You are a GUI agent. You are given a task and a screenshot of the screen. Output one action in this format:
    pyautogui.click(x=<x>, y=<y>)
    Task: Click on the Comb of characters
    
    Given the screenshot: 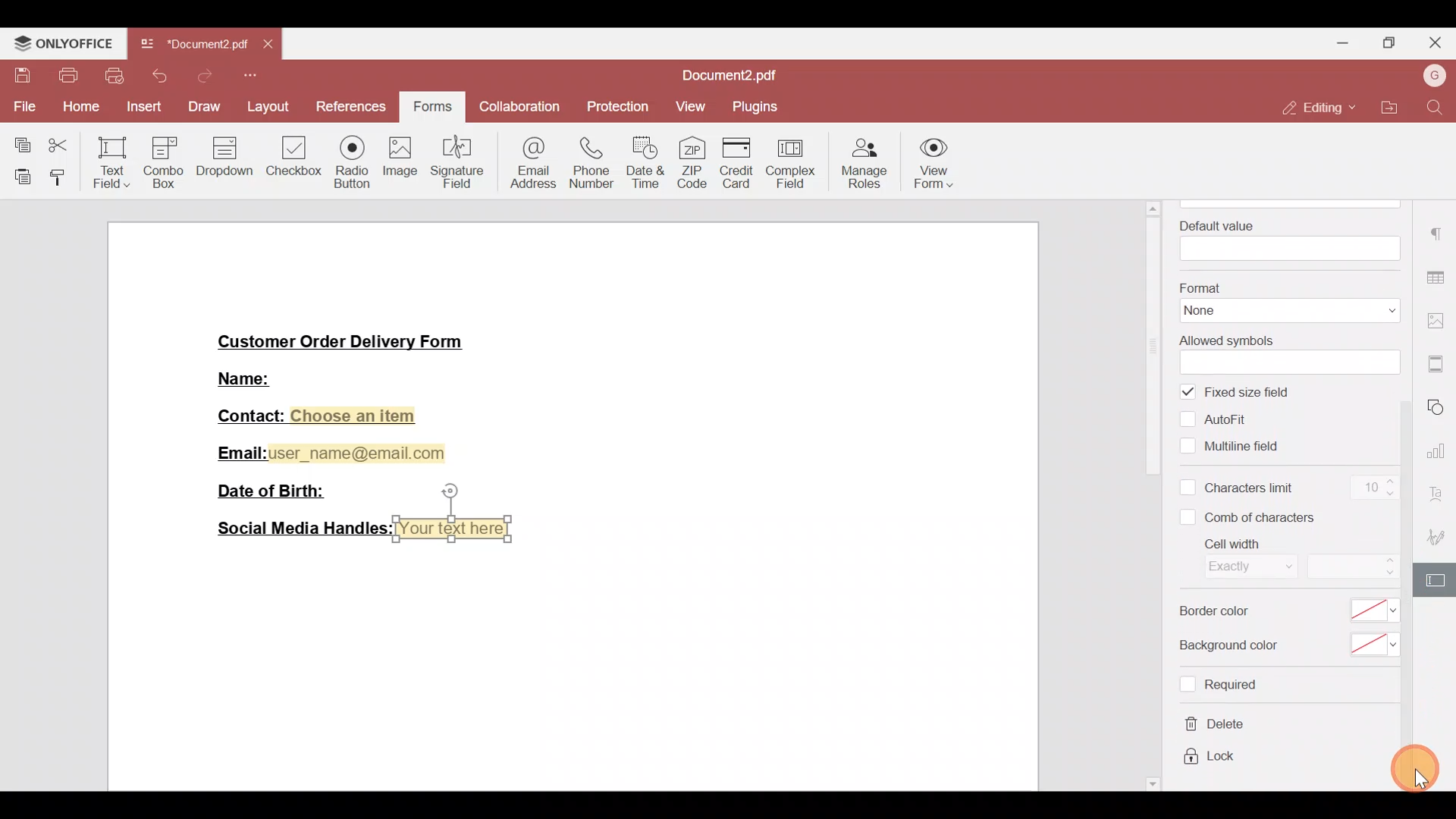 What is the action you would take?
    pyautogui.click(x=1253, y=516)
    